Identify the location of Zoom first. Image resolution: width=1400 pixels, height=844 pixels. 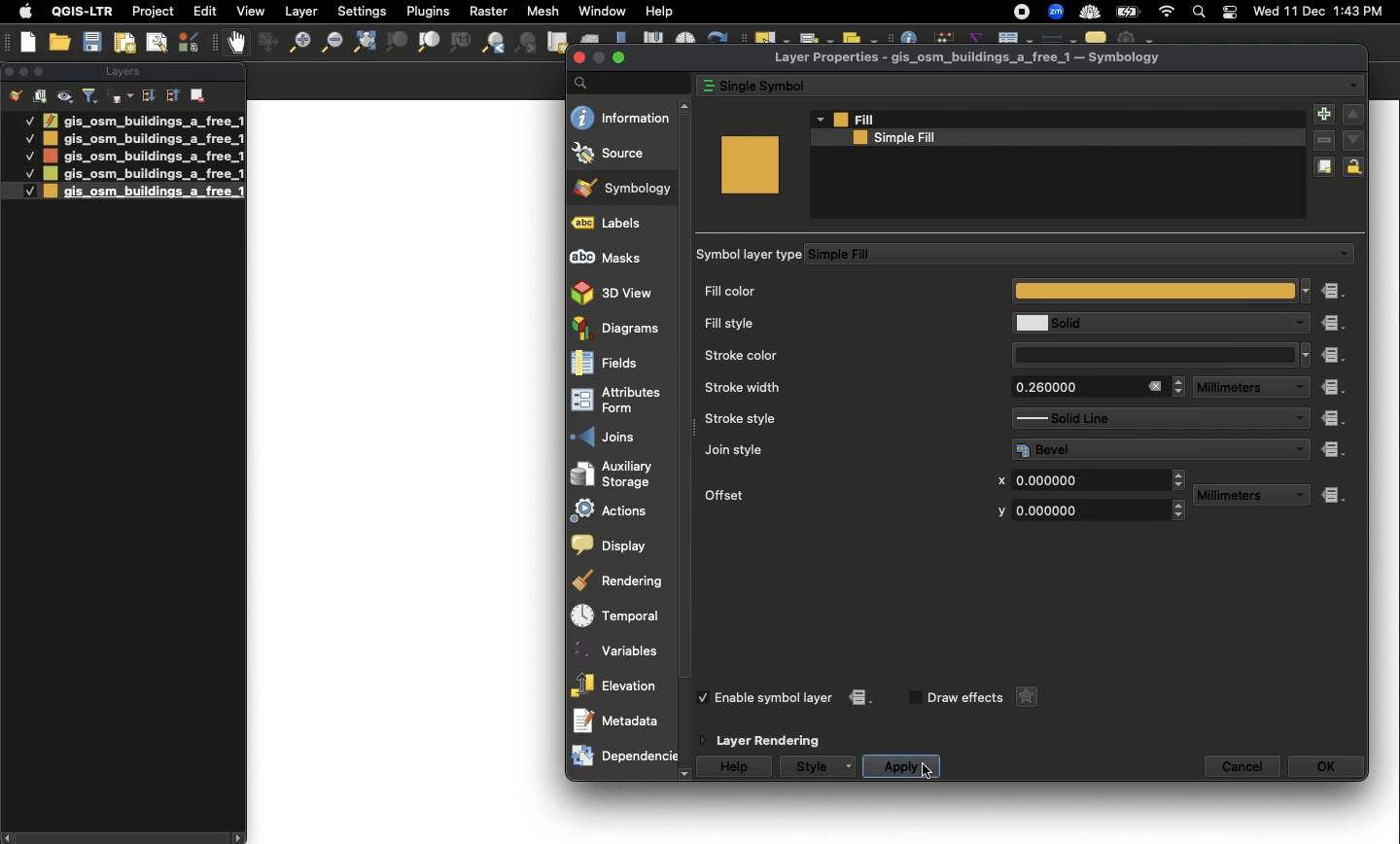
(527, 44).